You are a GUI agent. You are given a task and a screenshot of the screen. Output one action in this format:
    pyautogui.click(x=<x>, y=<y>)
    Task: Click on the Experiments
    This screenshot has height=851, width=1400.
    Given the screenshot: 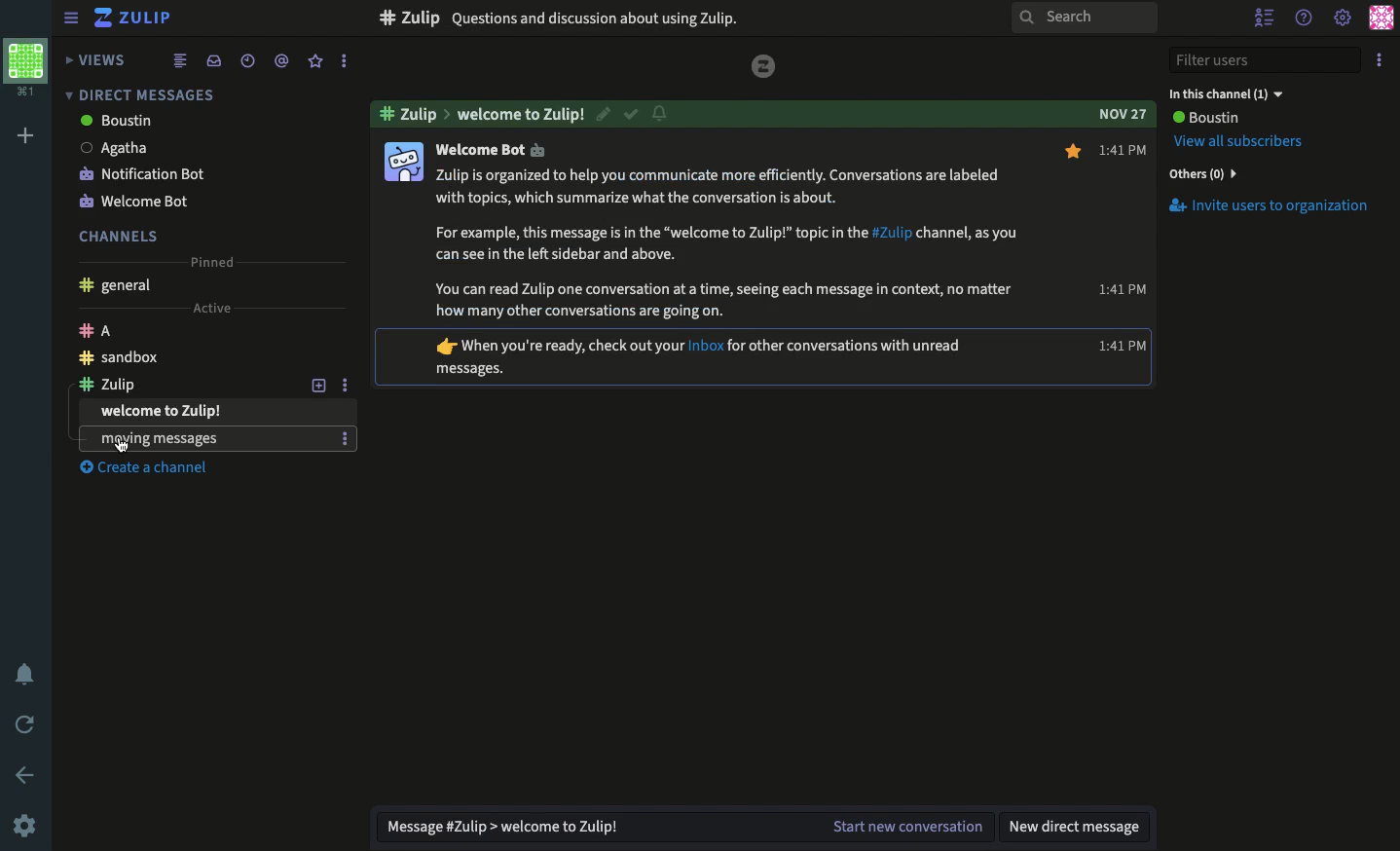 What is the action you would take?
    pyautogui.click(x=198, y=439)
    